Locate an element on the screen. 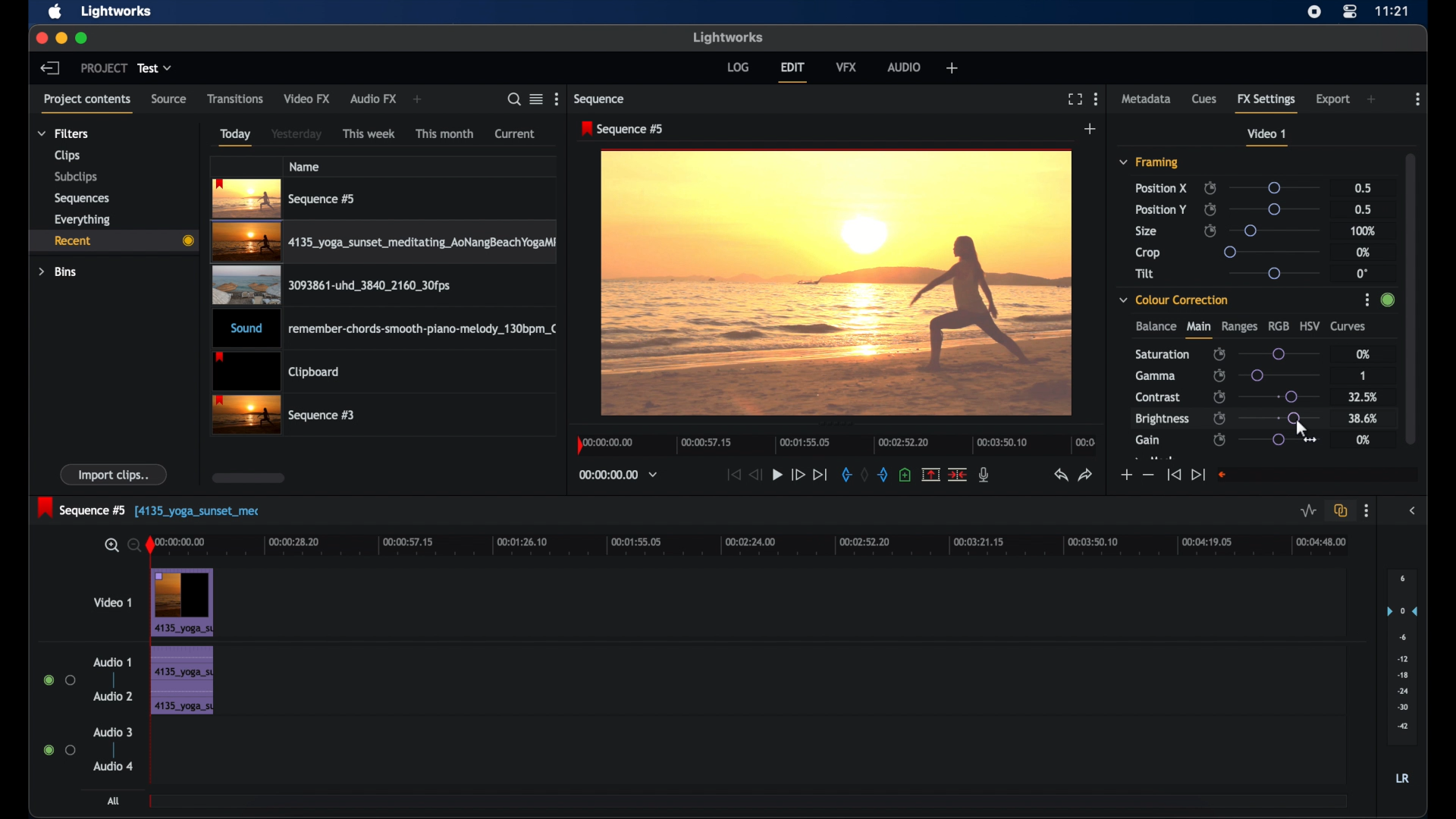  slider is located at coordinates (1276, 209).